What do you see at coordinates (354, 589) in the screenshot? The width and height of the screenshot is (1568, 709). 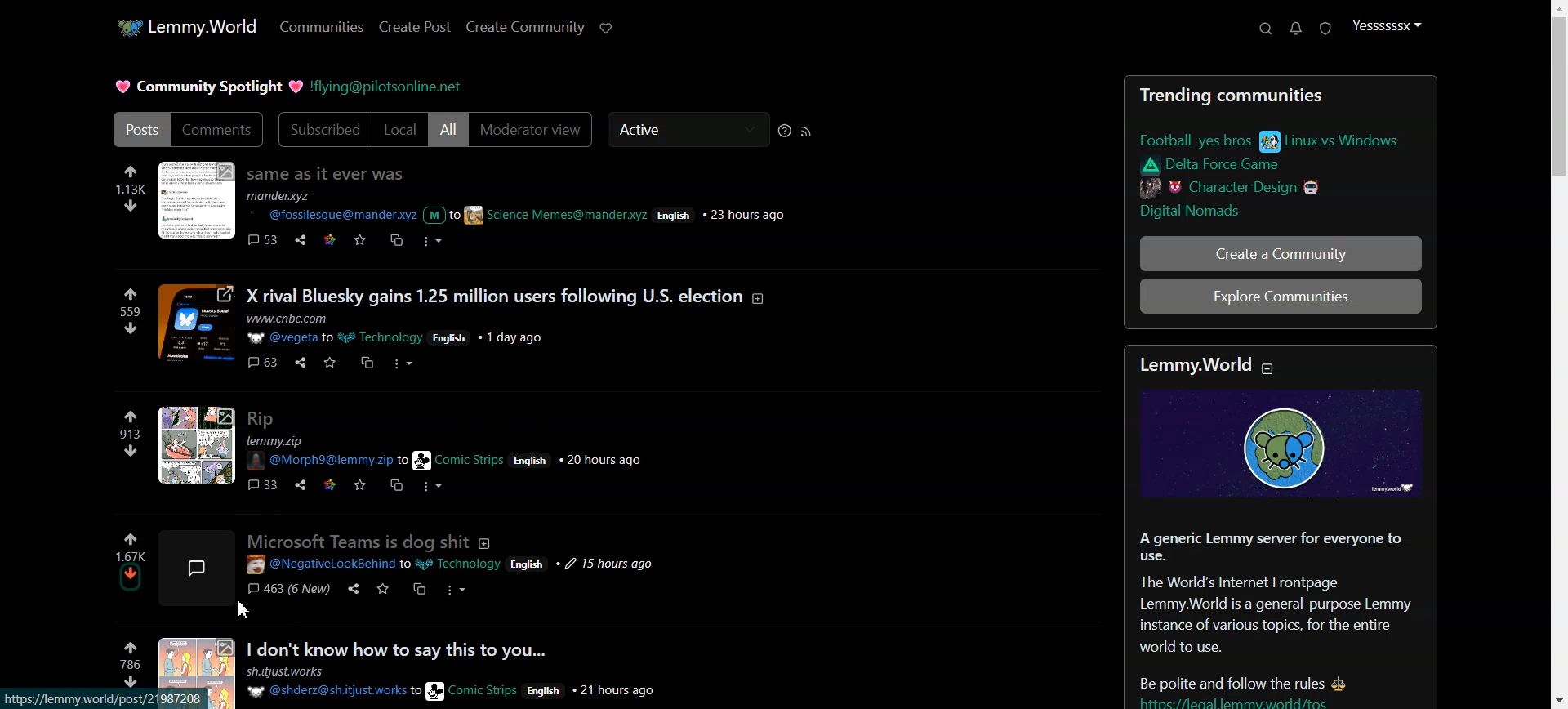 I see `Share` at bounding box center [354, 589].